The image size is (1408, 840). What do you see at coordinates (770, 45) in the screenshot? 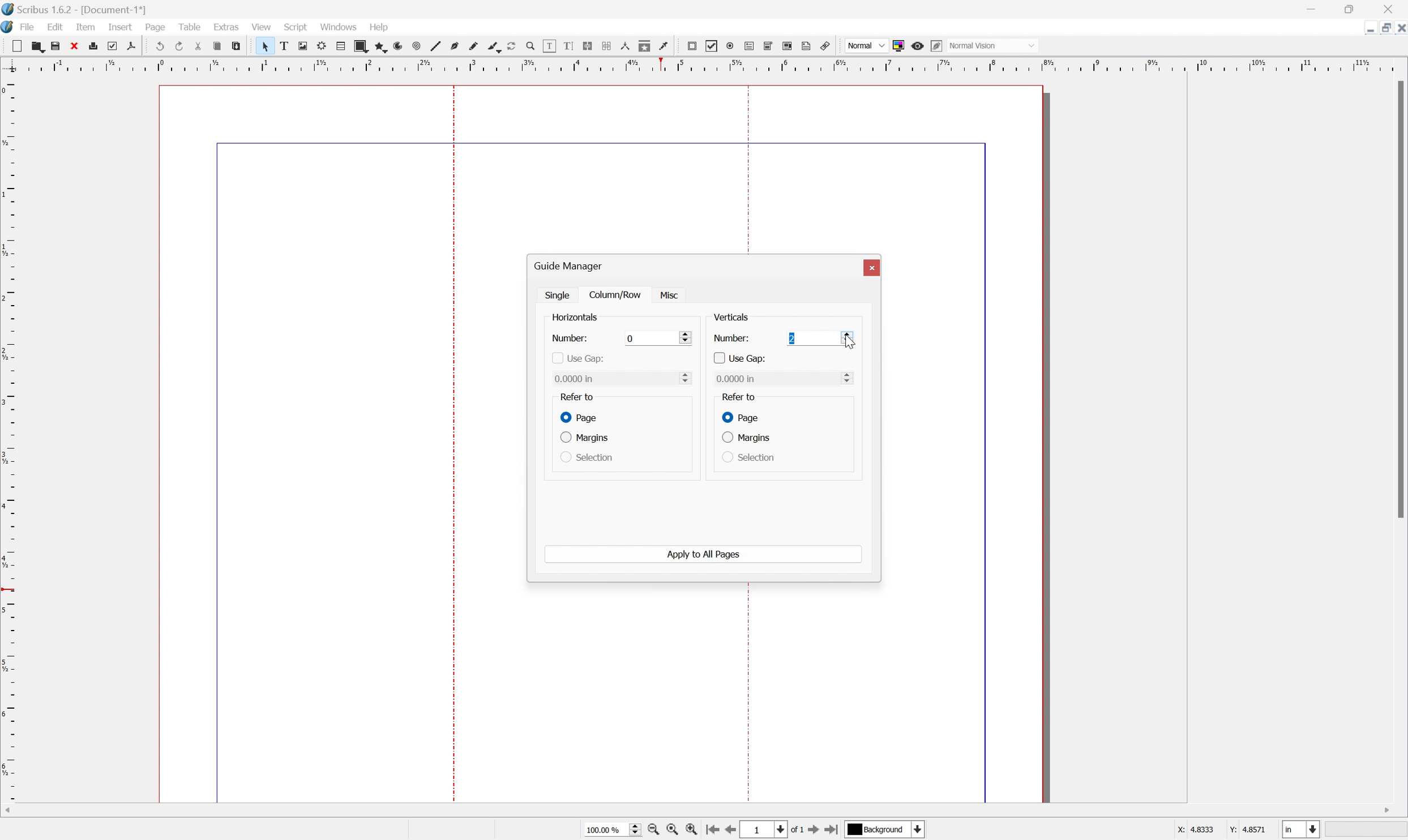
I see `pdf combo box` at bounding box center [770, 45].